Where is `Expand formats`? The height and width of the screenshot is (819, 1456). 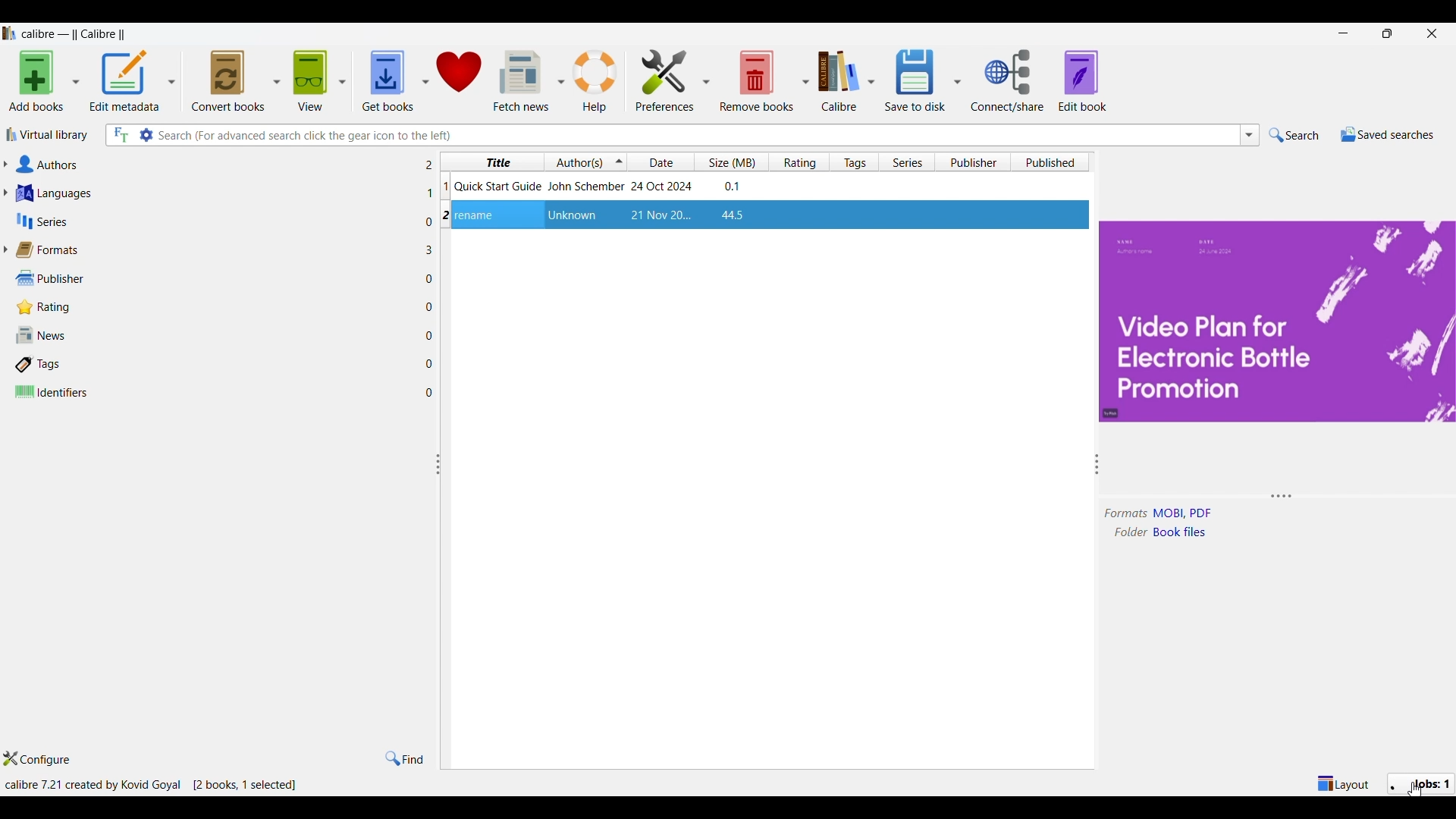
Expand formats is located at coordinates (5, 249).